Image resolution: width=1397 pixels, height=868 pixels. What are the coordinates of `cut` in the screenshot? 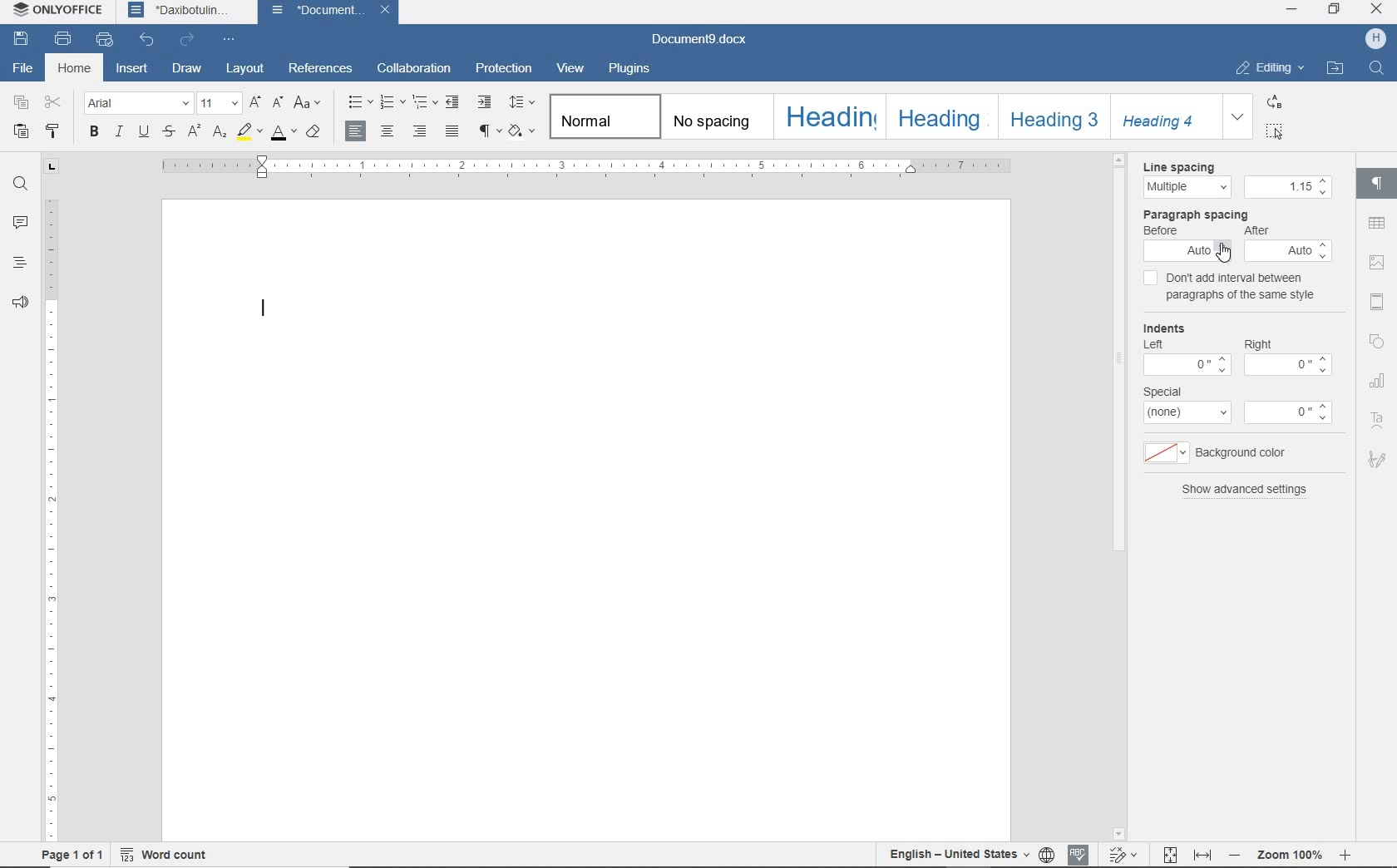 It's located at (57, 102).